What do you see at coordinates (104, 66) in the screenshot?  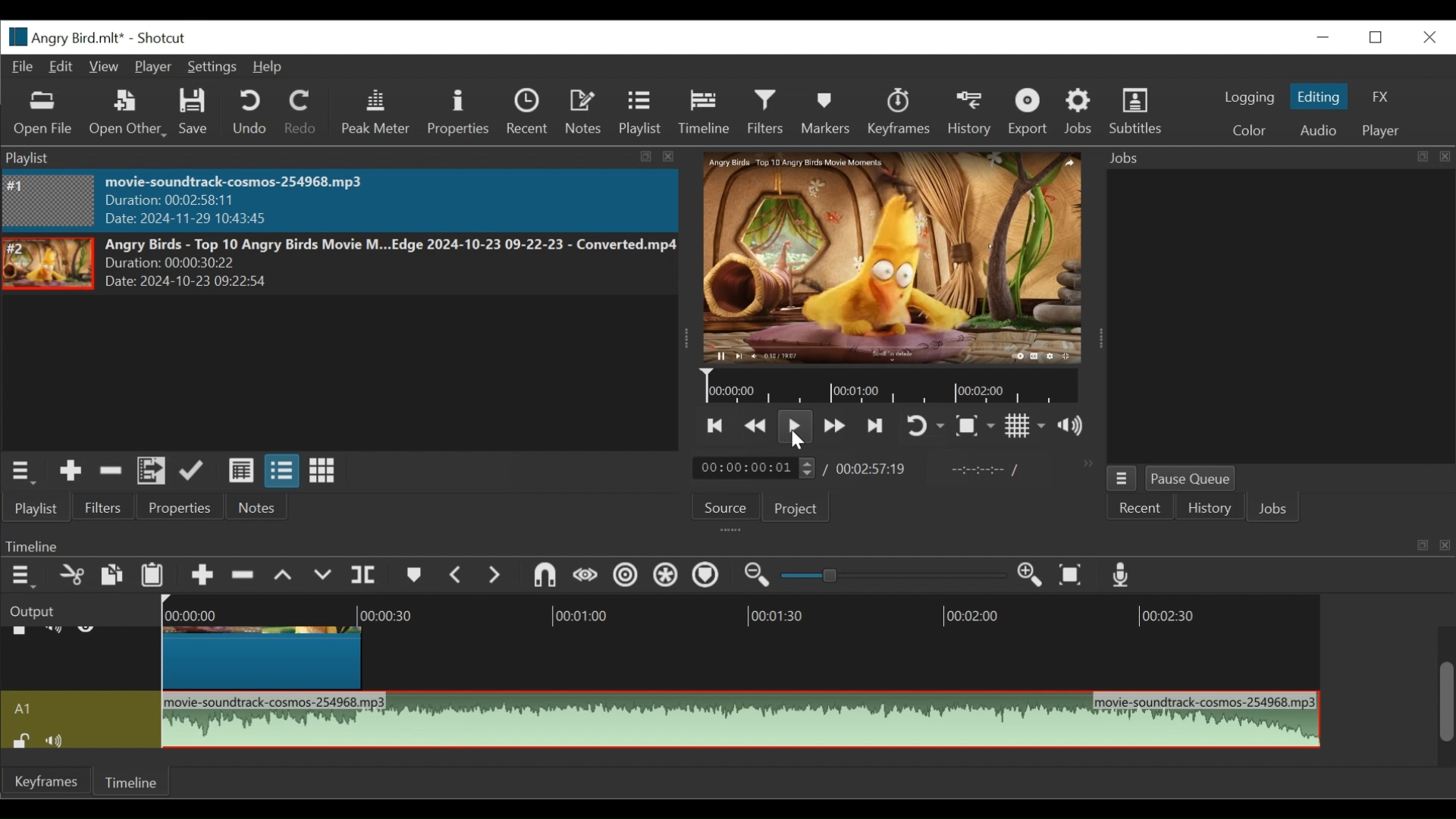 I see `View` at bounding box center [104, 66].